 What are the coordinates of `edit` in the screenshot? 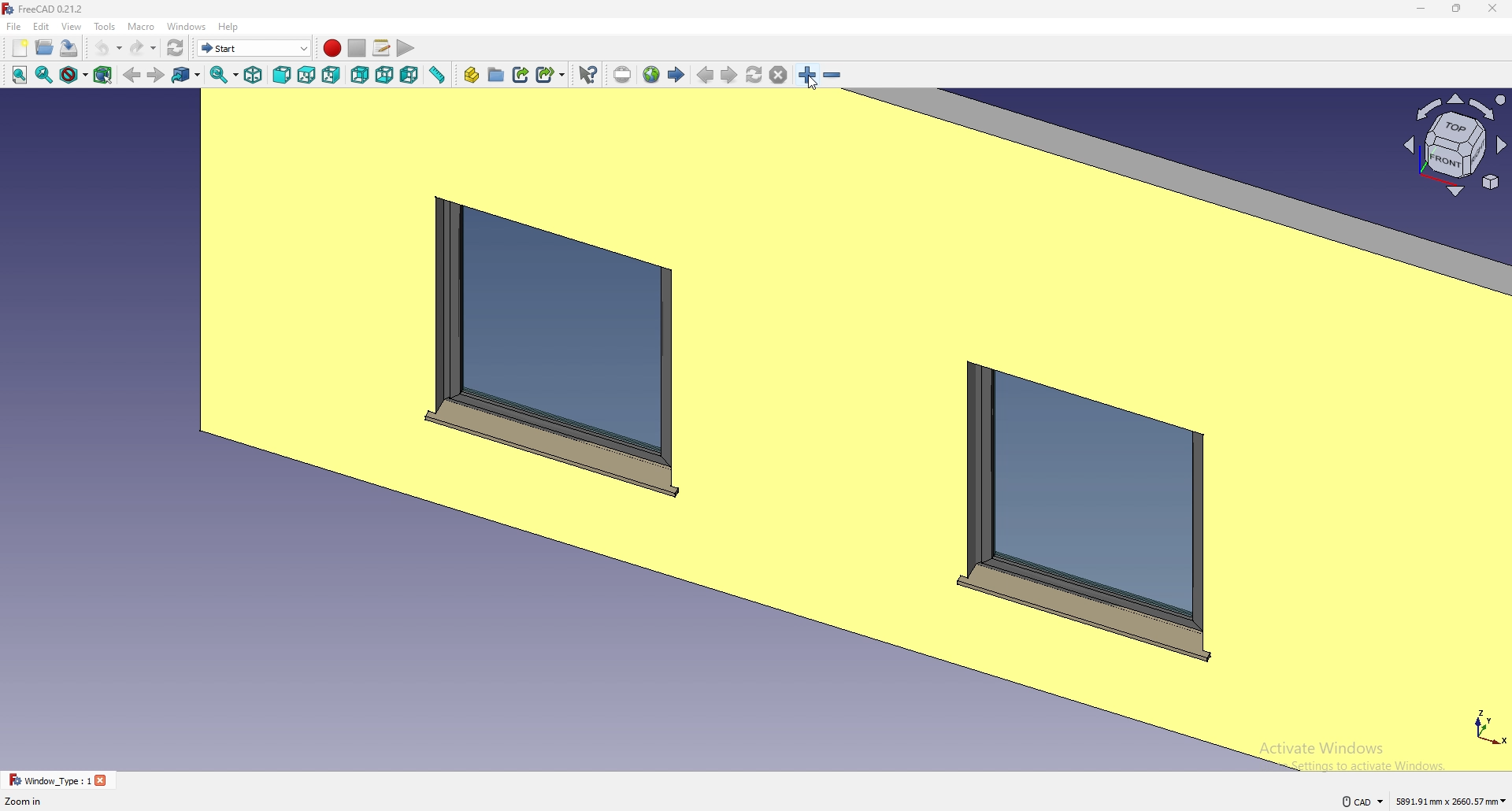 It's located at (43, 26).